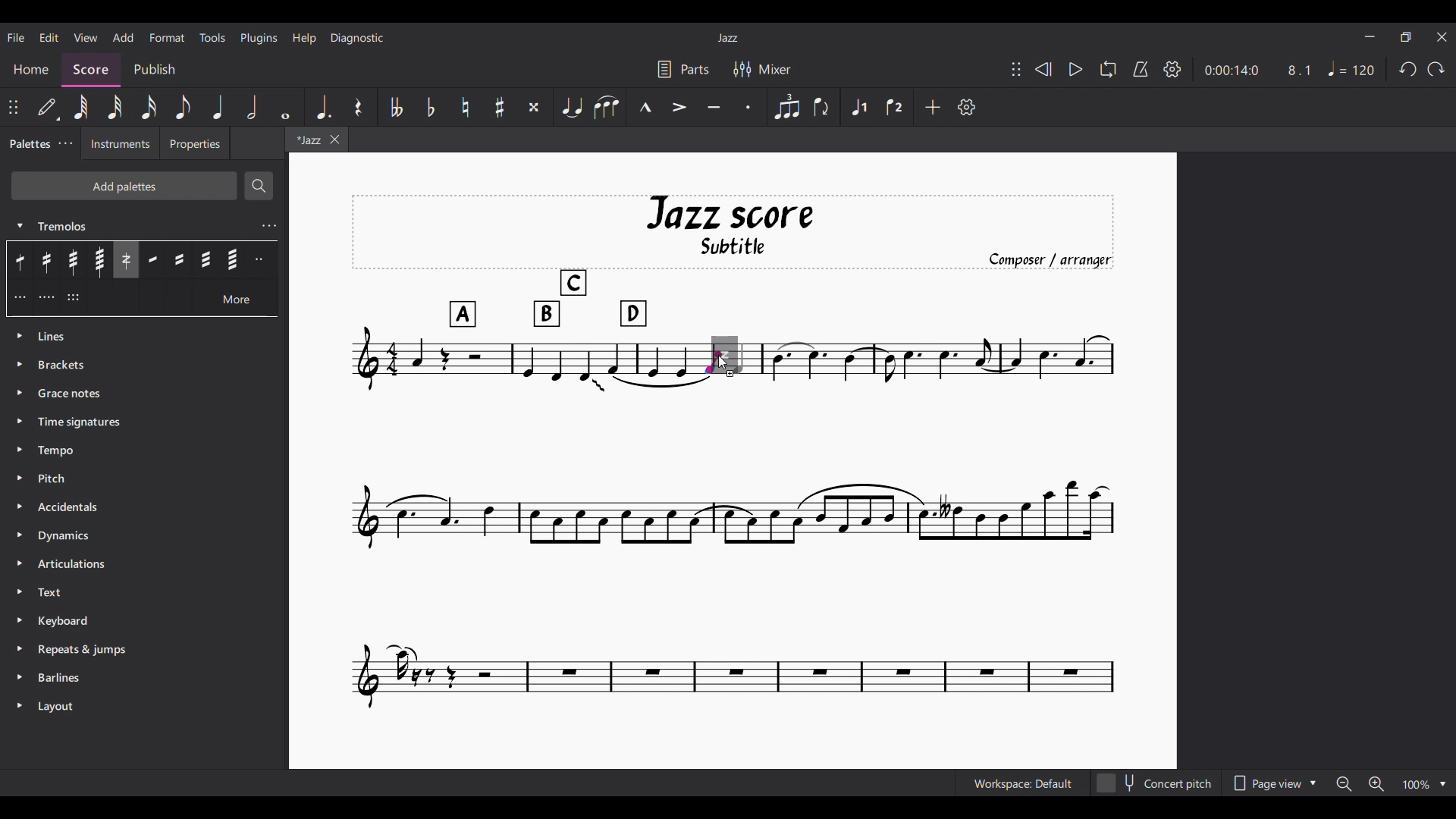  What do you see at coordinates (500, 107) in the screenshot?
I see `Toggle sharp` at bounding box center [500, 107].